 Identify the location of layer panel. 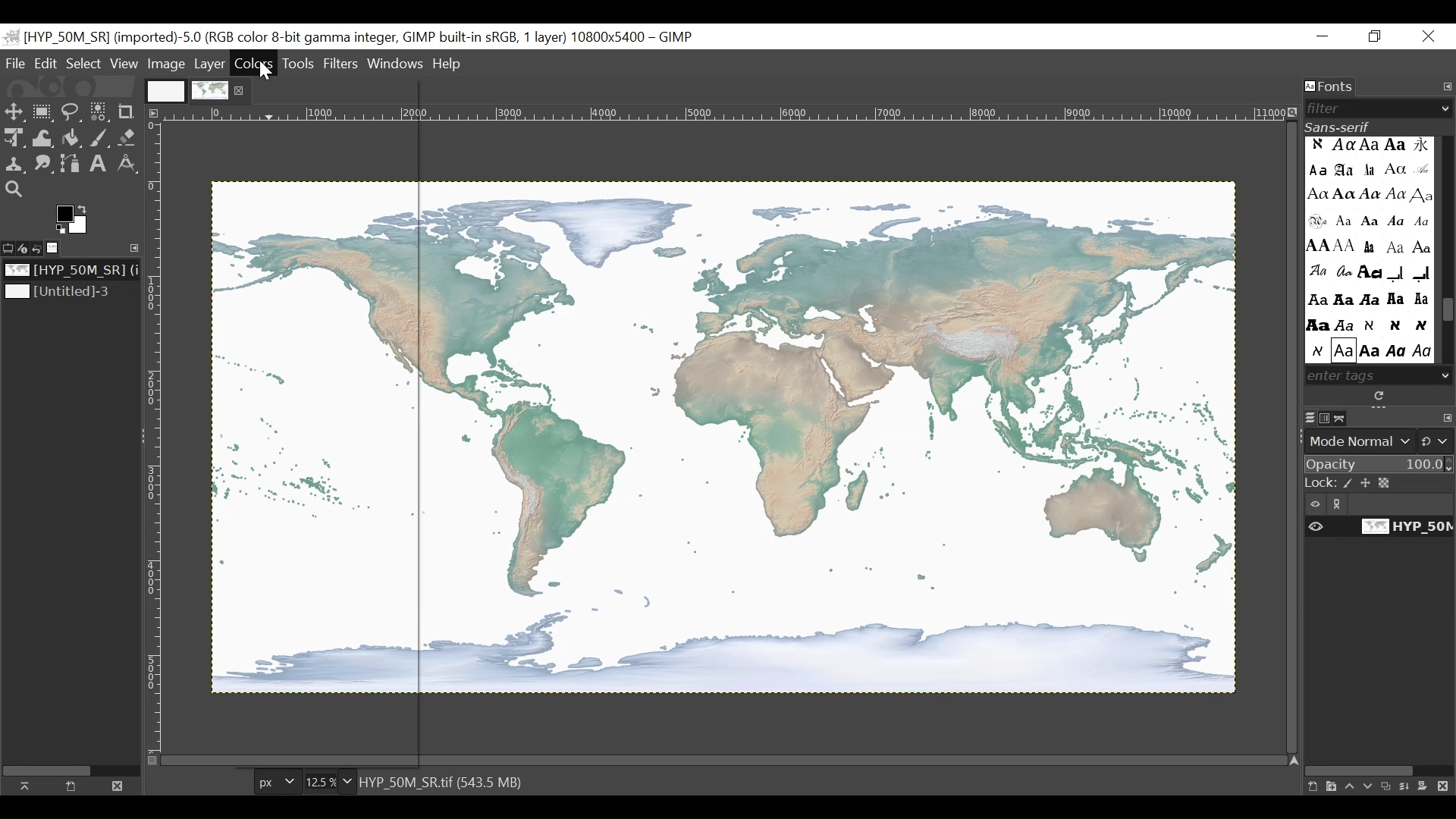
(1375, 782).